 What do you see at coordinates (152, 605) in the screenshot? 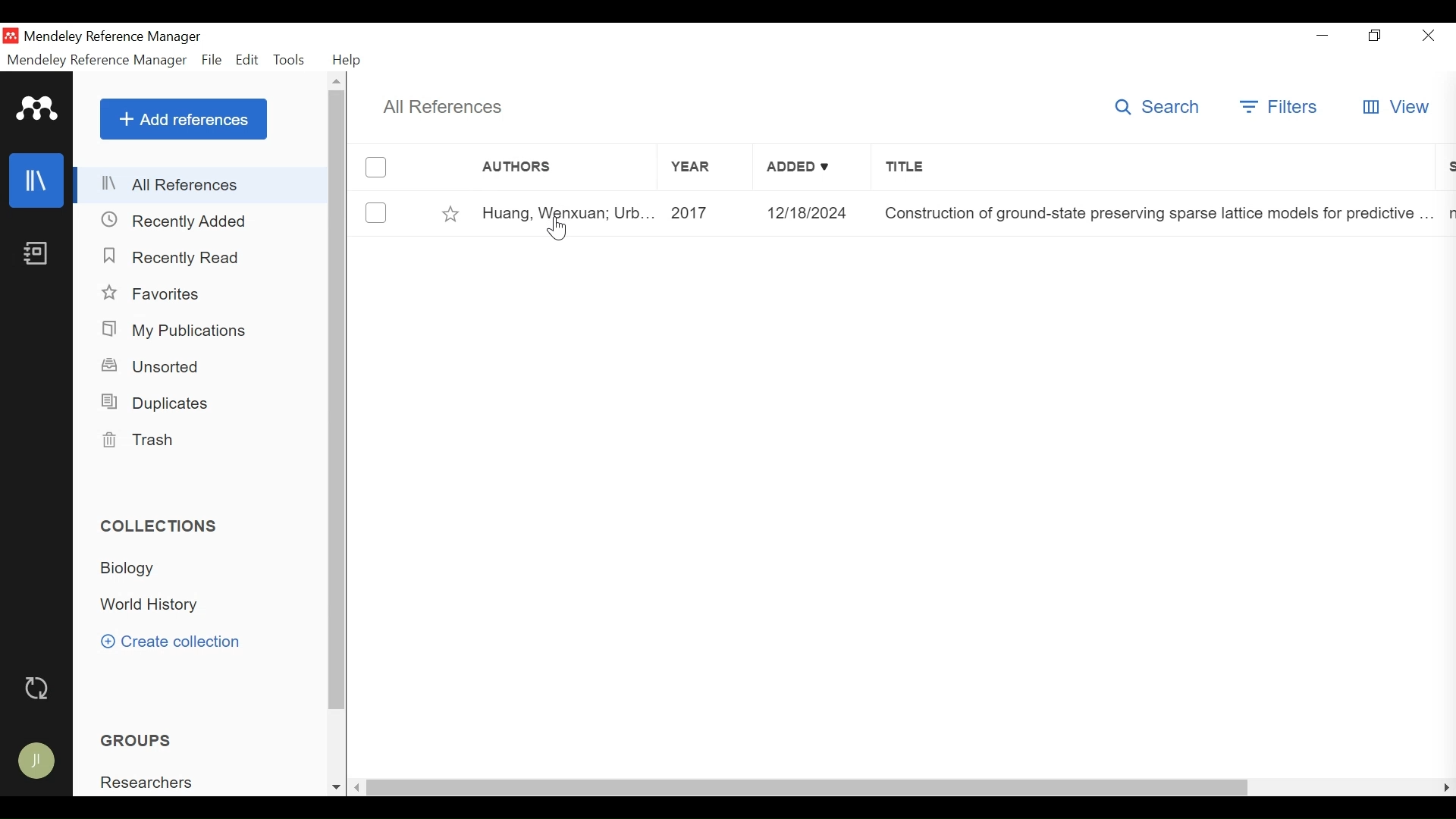
I see `Collection` at bounding box center [152, 605].